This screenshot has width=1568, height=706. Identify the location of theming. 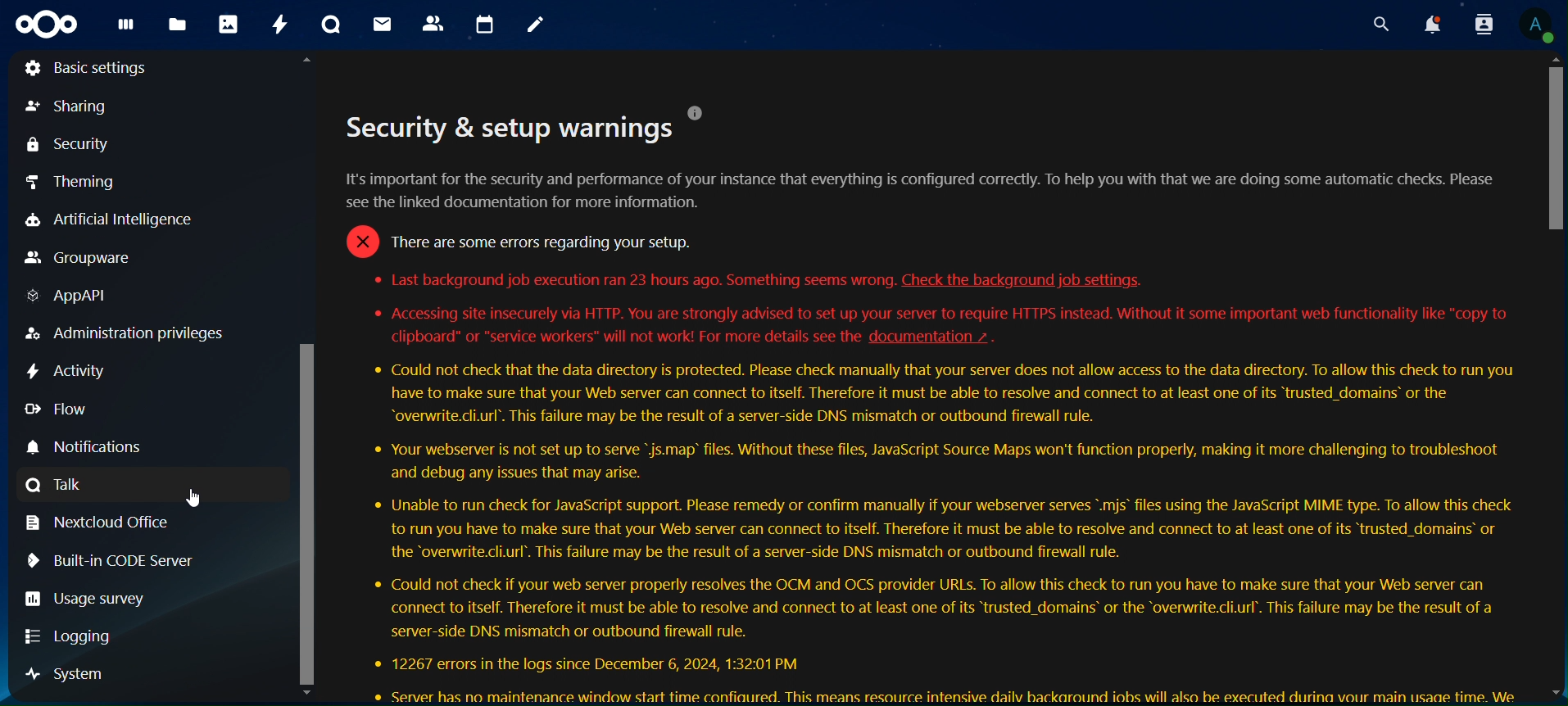
(71, 183).